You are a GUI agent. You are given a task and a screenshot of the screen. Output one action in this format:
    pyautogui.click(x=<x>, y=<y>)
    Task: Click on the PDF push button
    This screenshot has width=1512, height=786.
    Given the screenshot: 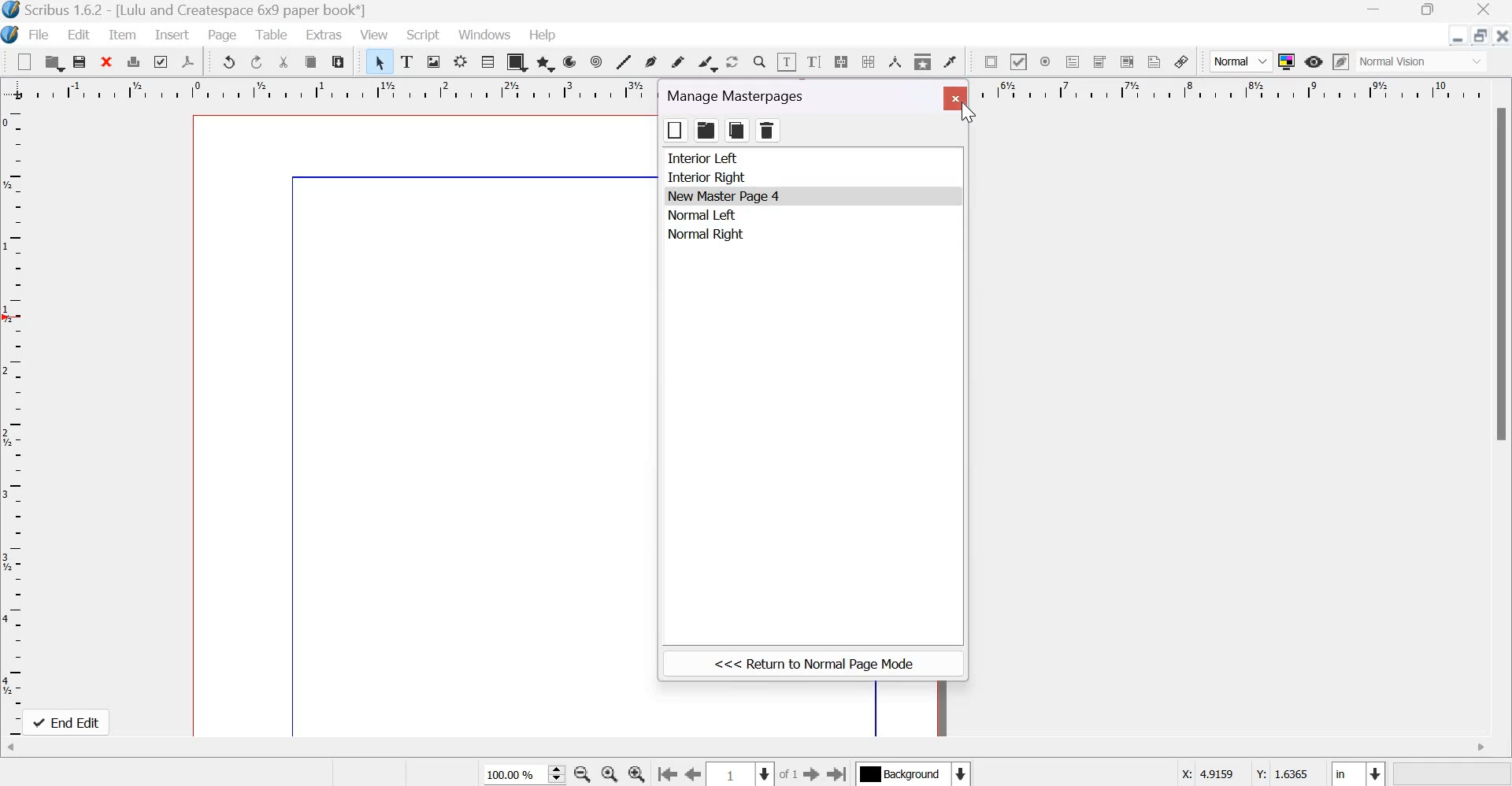 What is the action you would take?
    pyautogui.click(x=989, y=61)
    